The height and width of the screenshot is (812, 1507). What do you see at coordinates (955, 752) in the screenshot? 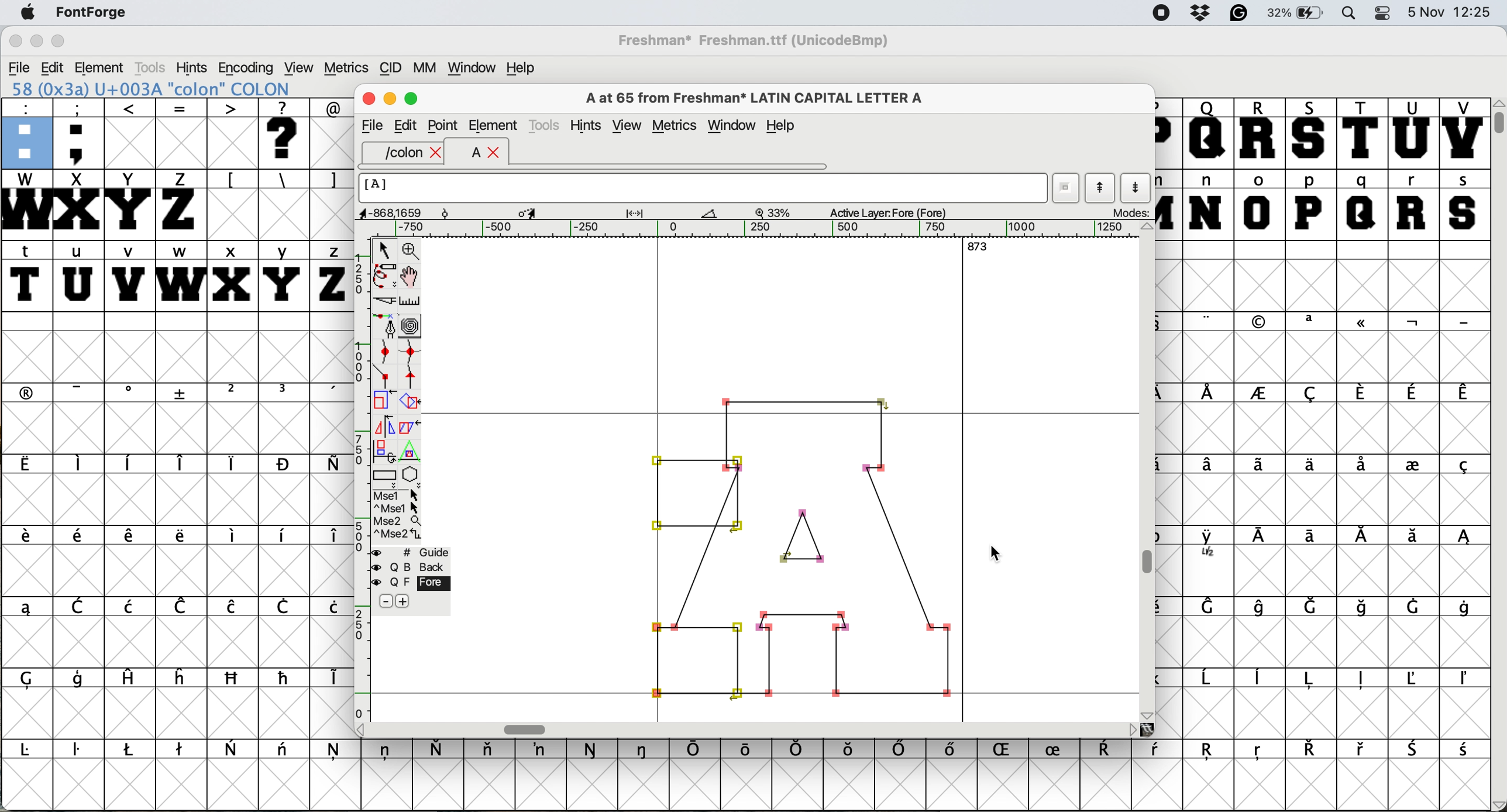
I see `symbol` at bounding box center [955, 752].